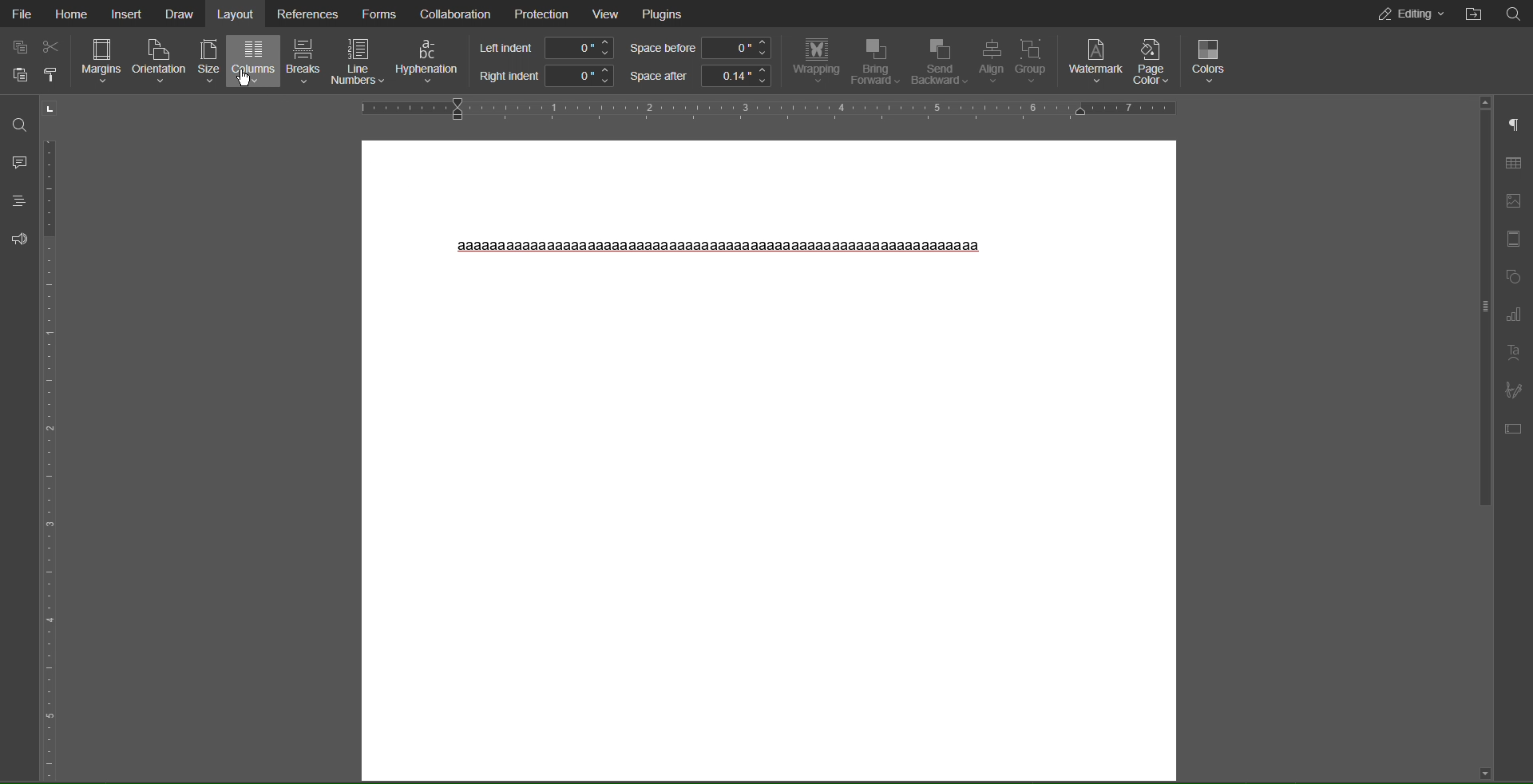  What do you see at coordinates (993, 63) in the screenshot?
I see `Align` at bounding box center [993, 63].